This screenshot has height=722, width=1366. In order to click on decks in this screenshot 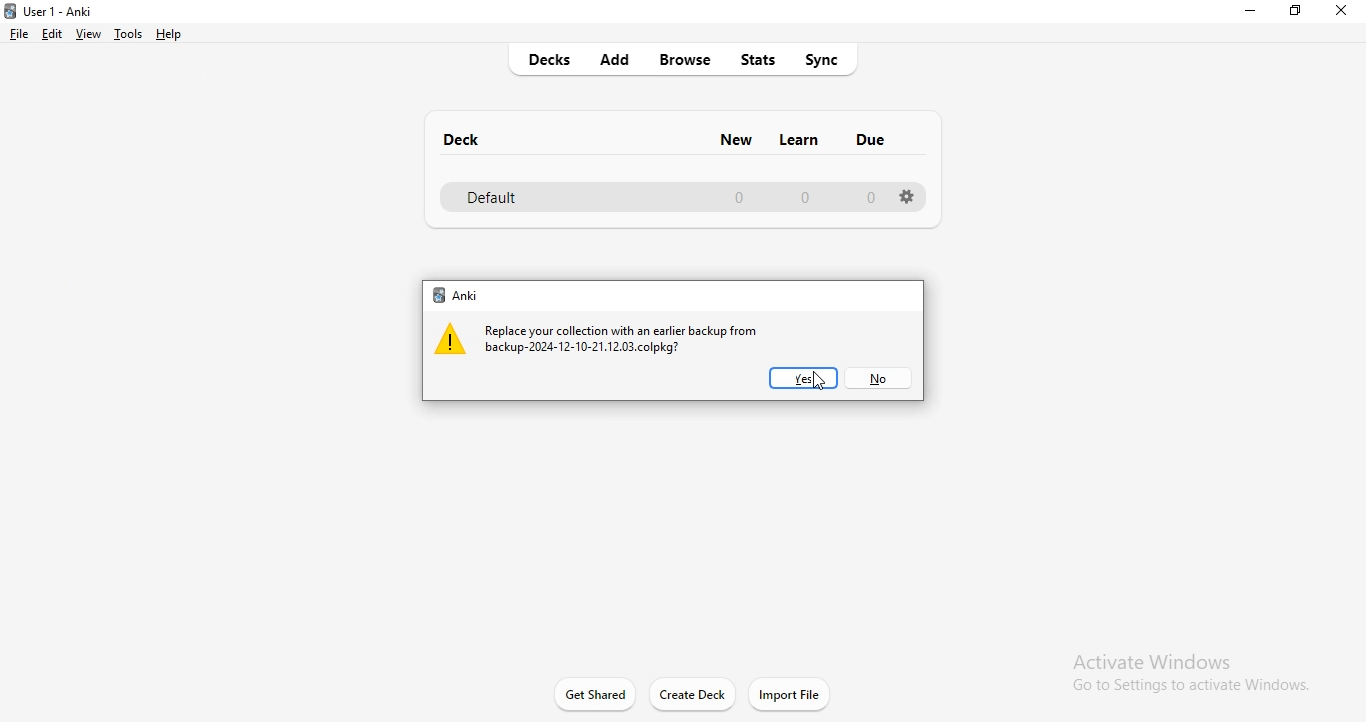, I will do `click(556, 60)`.